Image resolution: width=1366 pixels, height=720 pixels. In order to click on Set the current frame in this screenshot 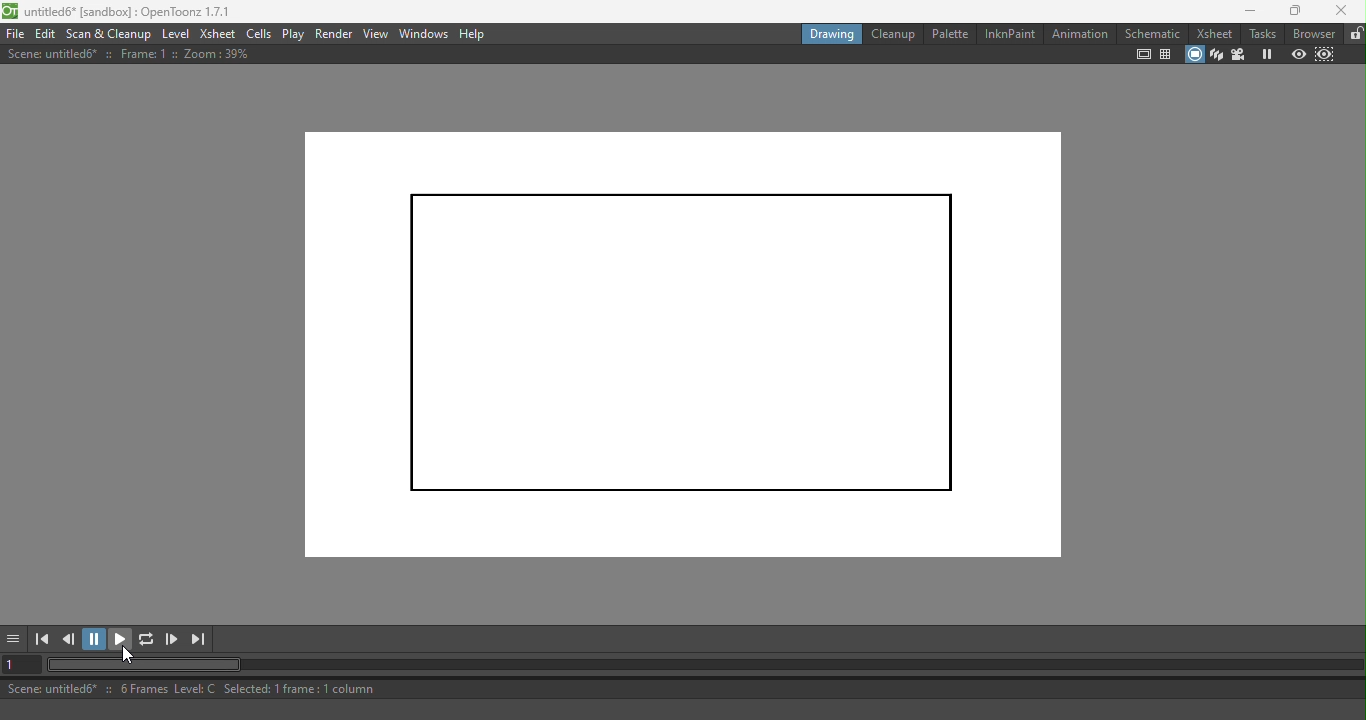, I will do `click(21, 665)`.